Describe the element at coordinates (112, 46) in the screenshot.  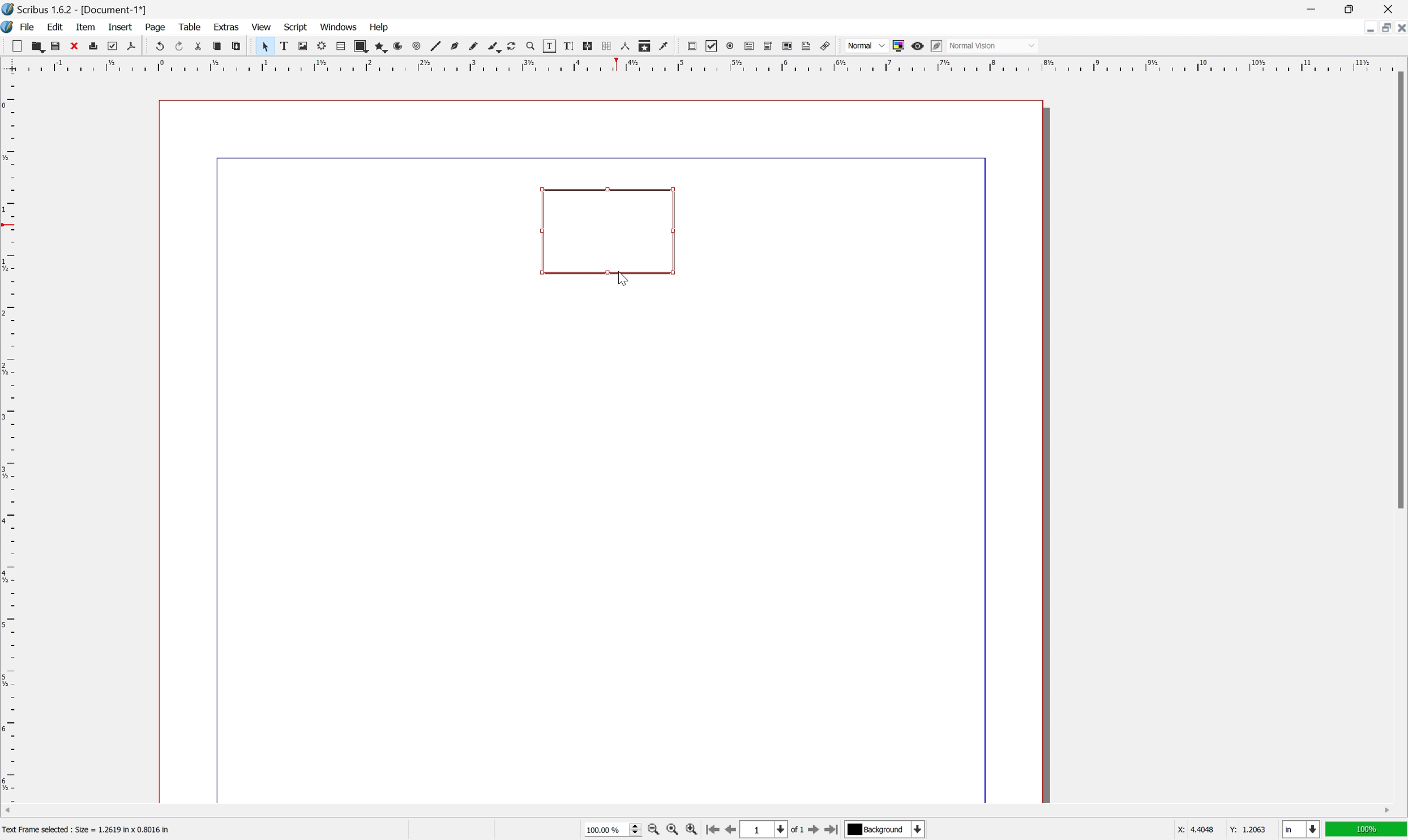
I see `preflight verifier` at that location.